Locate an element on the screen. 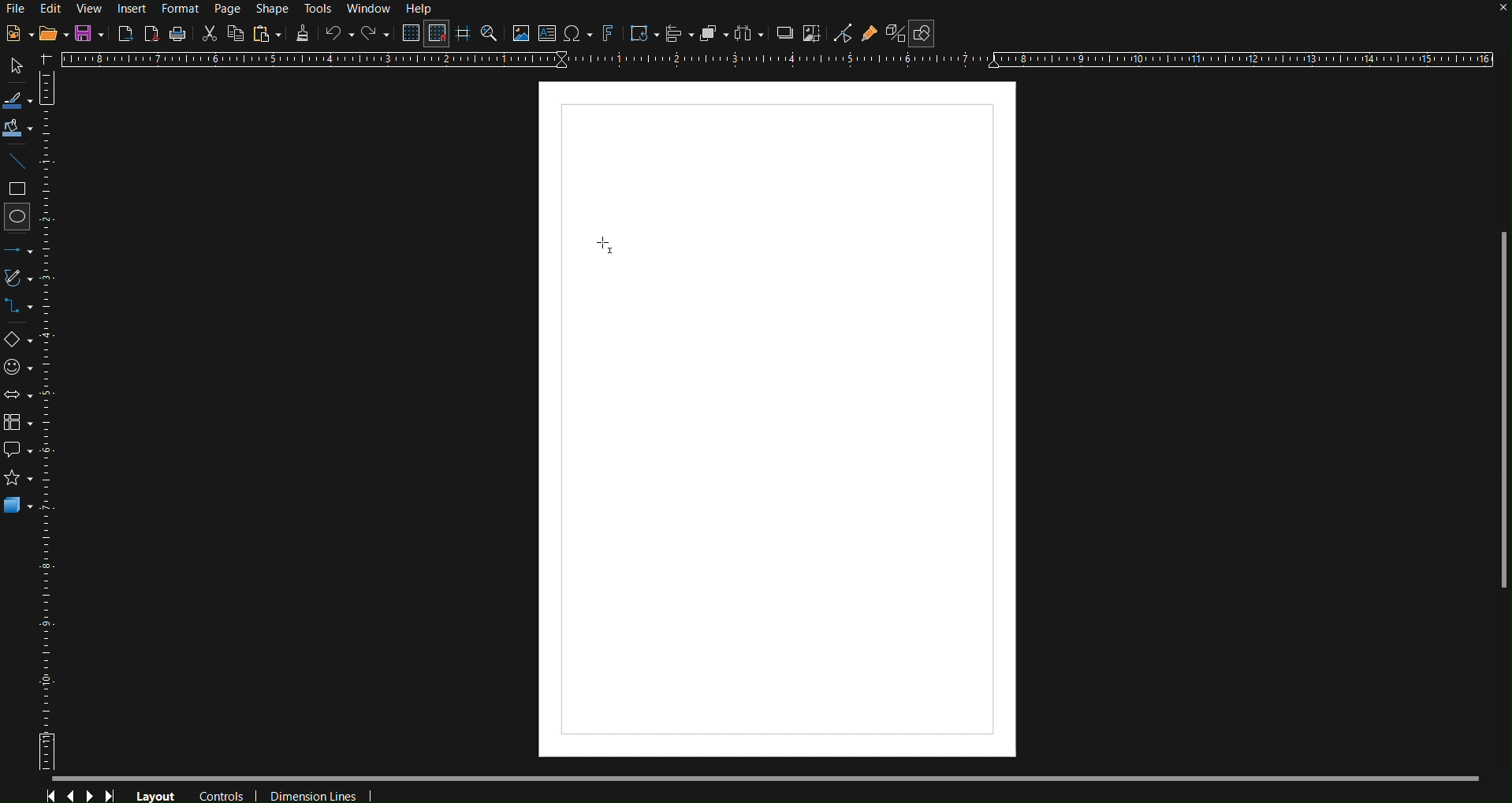  Toggle Point Edit Mode is located at coordinates (843, 35).